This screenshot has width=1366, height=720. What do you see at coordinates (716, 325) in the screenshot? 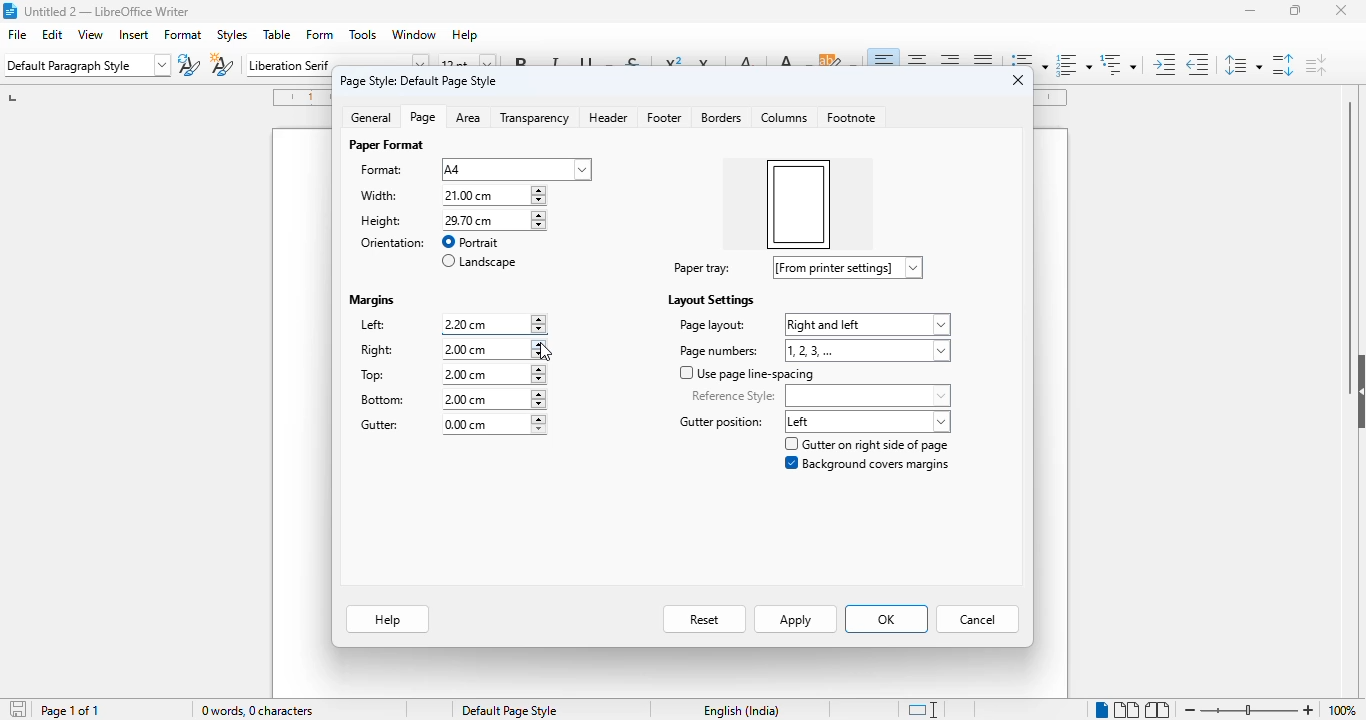
I see `page layout` at bounding box center [716, 325].